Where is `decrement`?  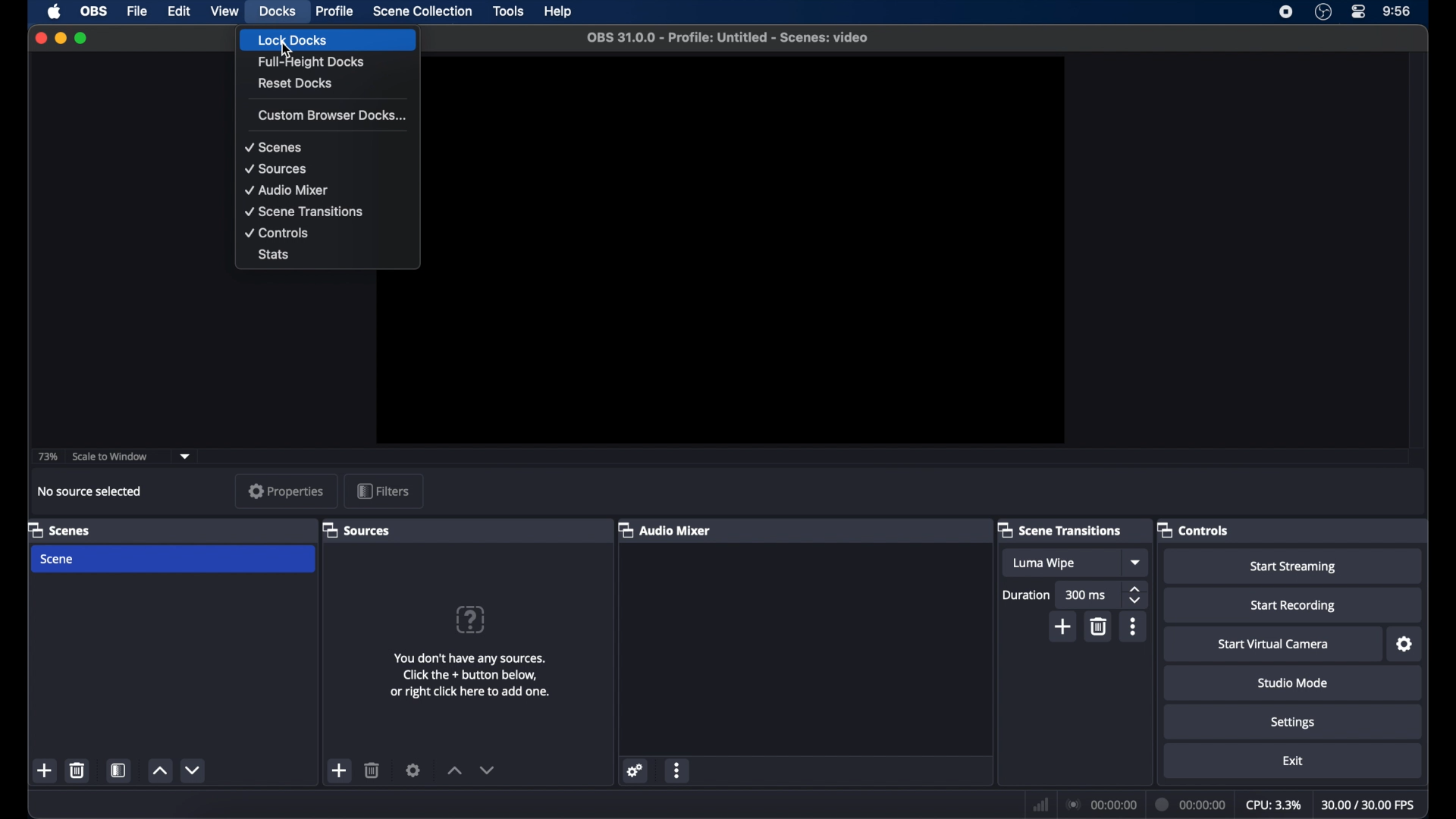 decrement is located at coordinates (193, 770).